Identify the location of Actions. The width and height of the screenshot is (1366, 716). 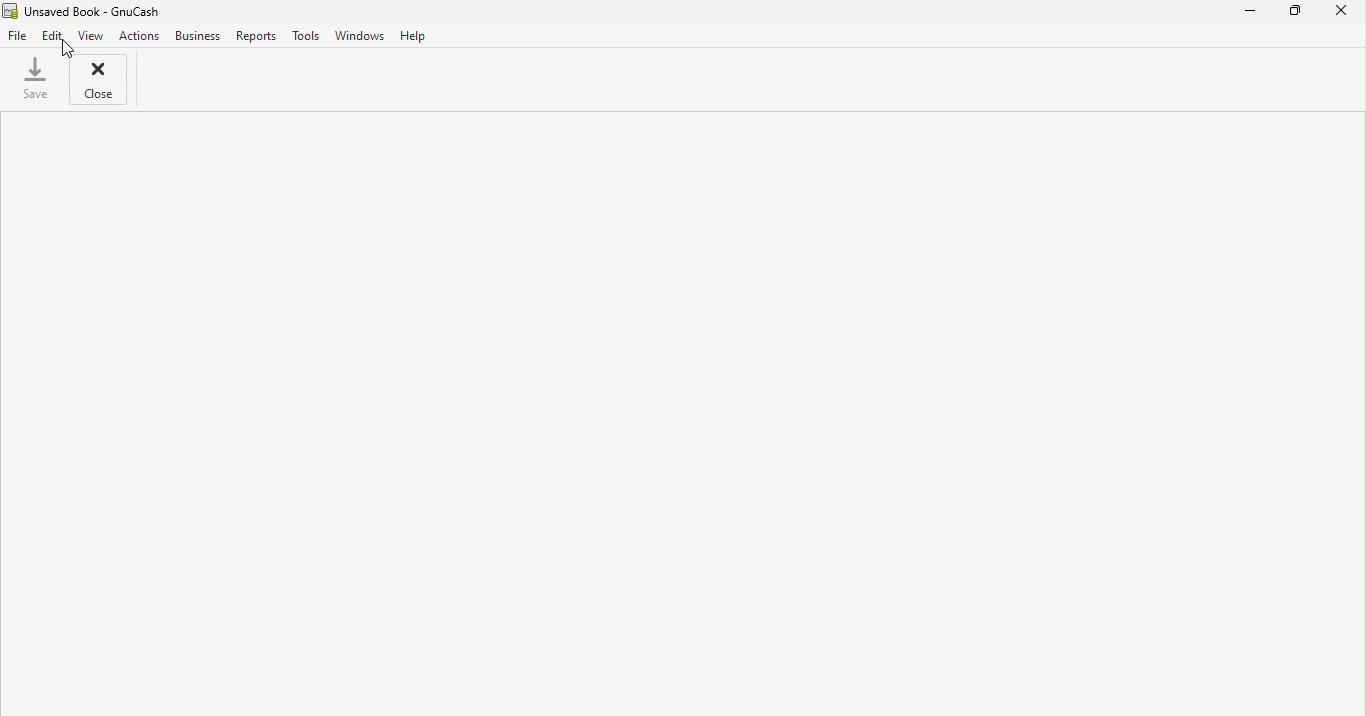
(142, 37).